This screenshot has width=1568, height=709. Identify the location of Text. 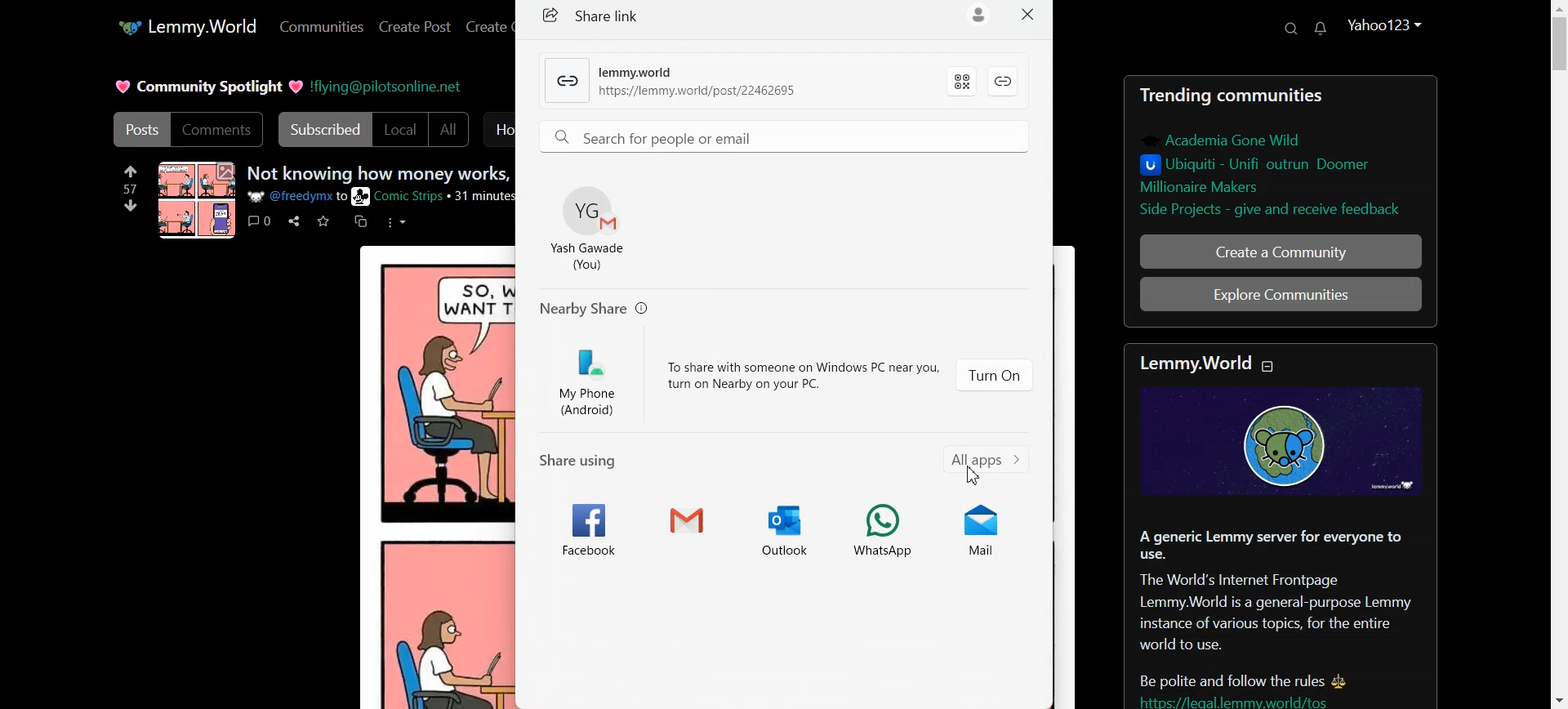
(380, 174).